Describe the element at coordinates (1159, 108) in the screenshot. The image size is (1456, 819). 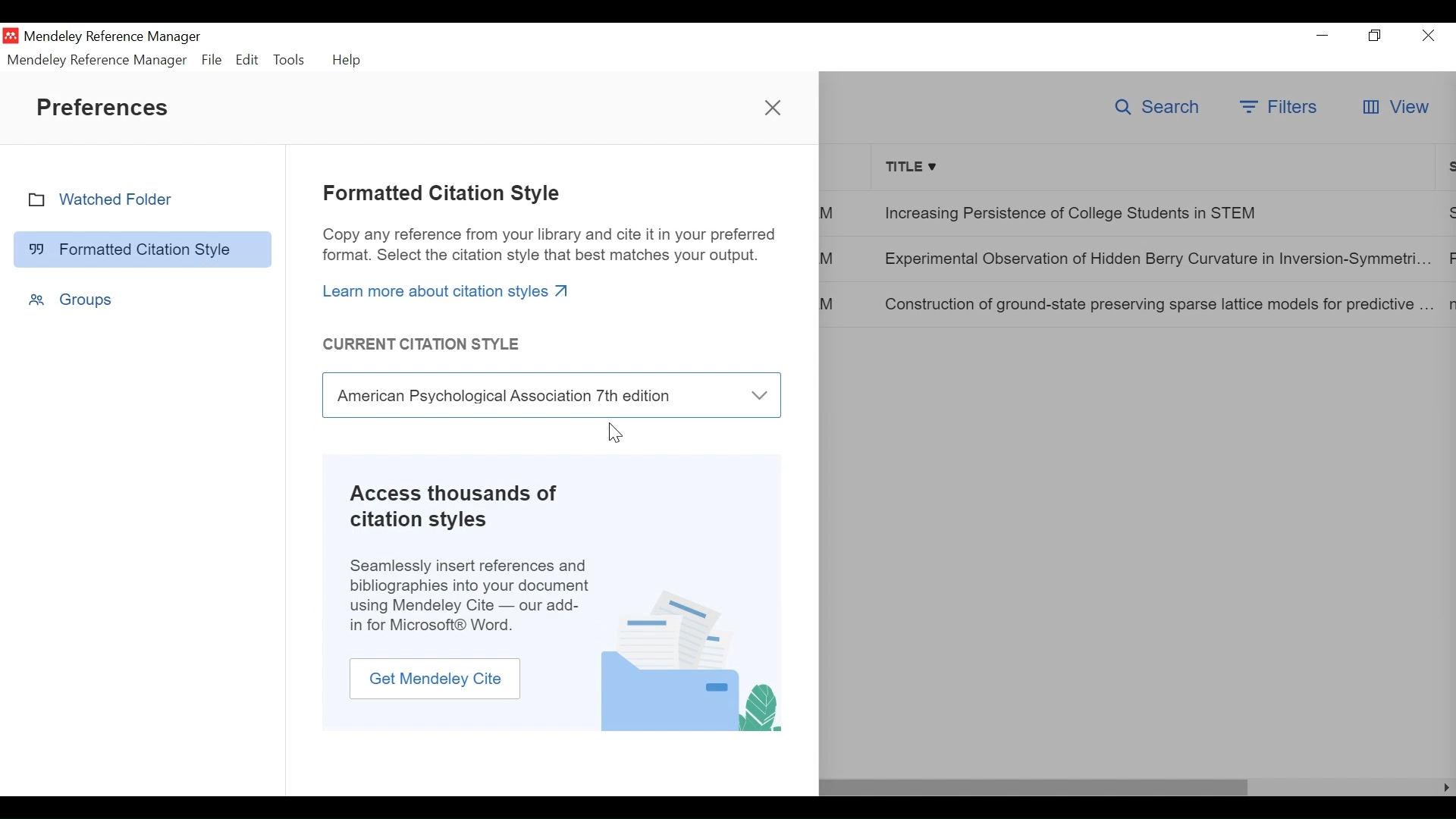
I see `Search ` at that location.